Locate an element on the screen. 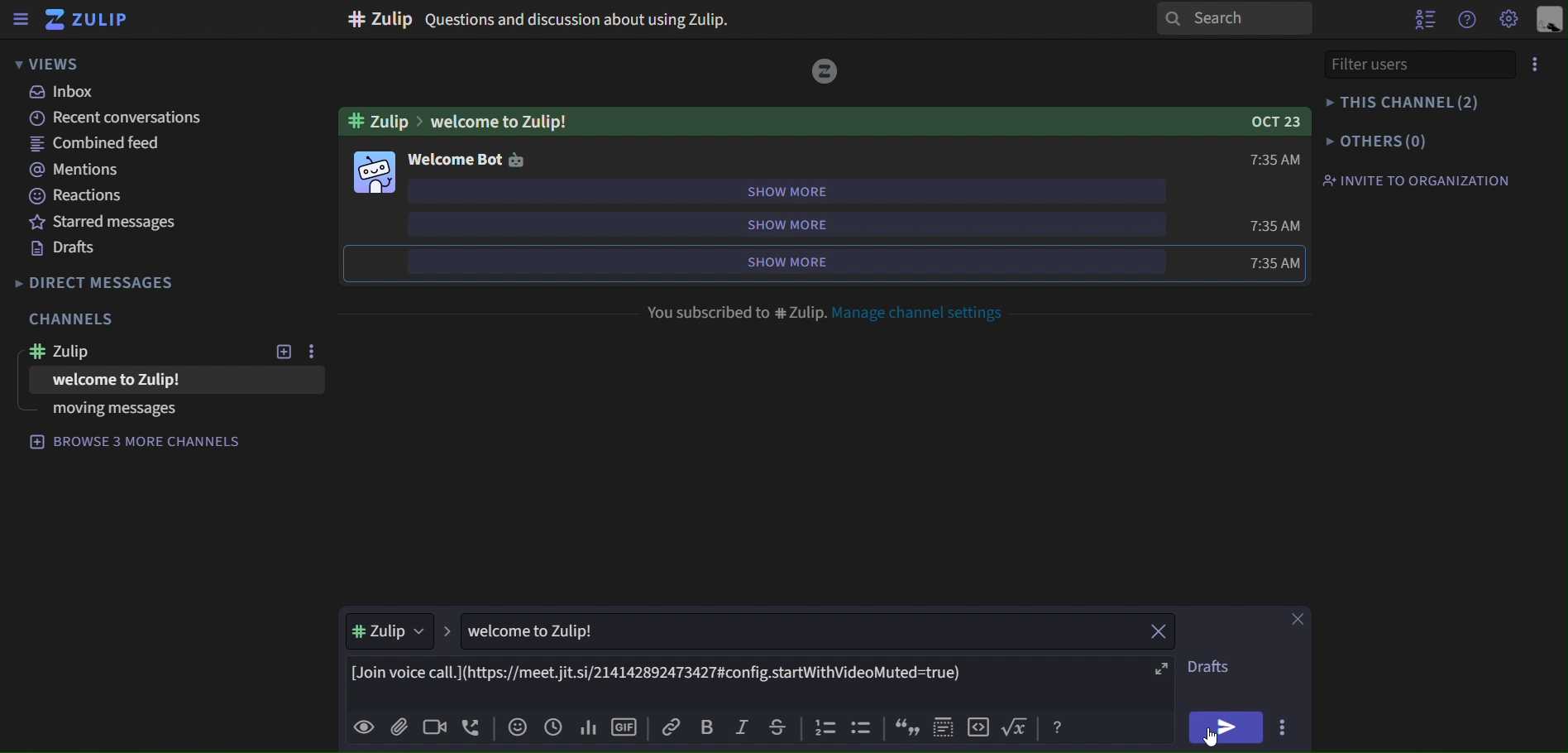  preview is located at coordinates (361, 725).